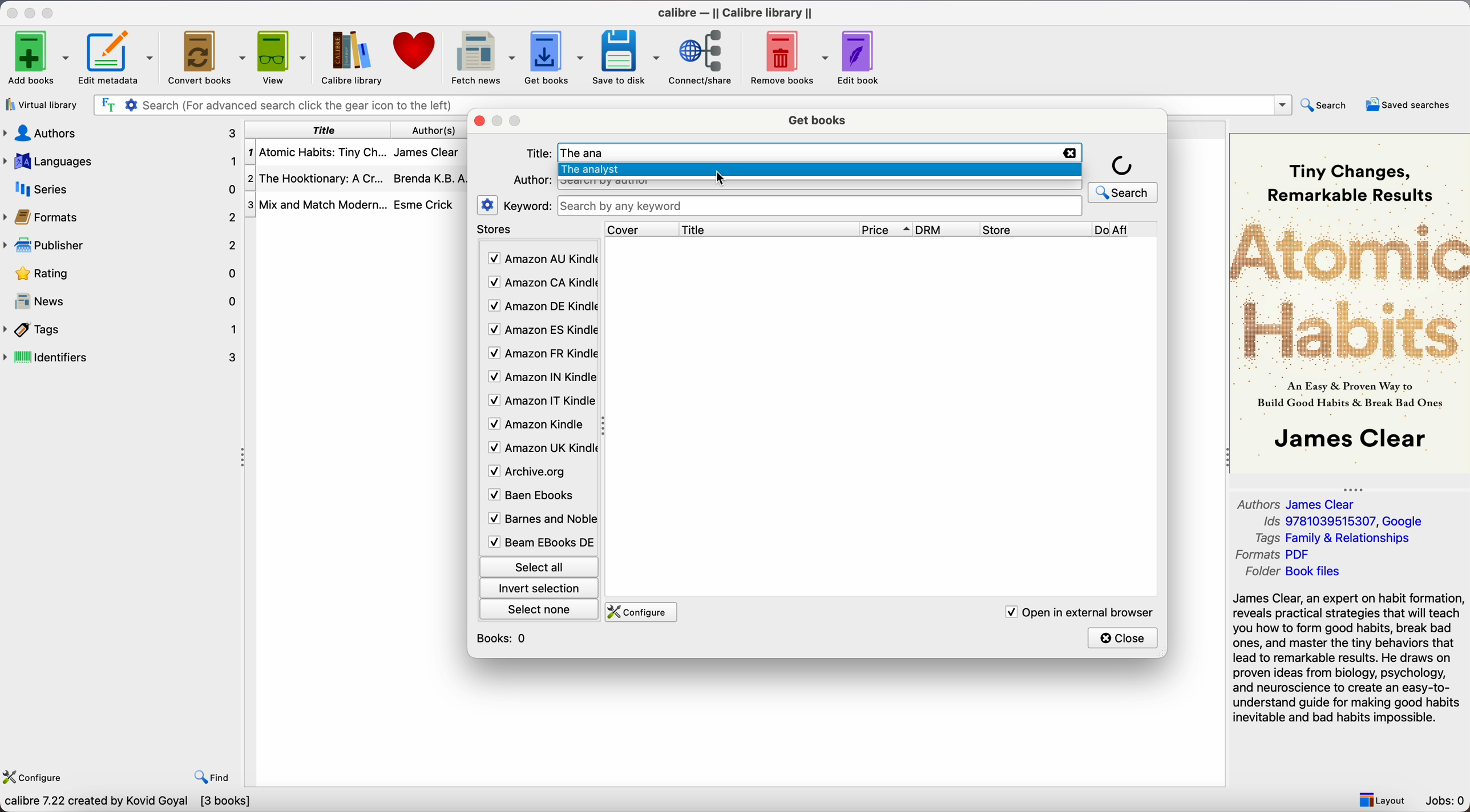 The height and width of the screenshot is (812, 1470). What do you see at coordinates (1035, 229) in the screenshot?
I see `store` at bounding box center [1035, 229].